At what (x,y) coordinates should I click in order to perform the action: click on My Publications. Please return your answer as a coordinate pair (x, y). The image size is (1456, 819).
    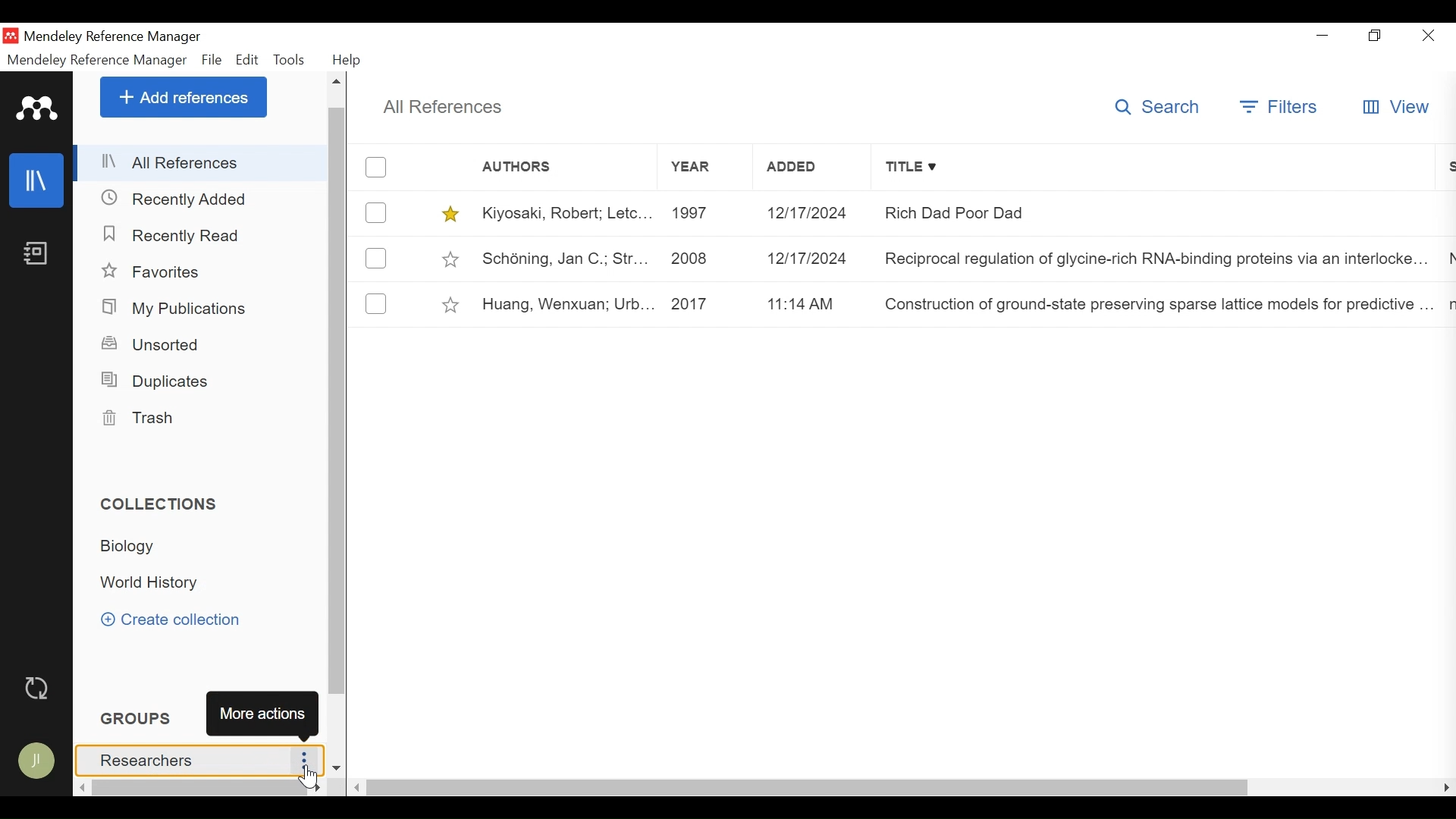
    Looking at the image, I should click on (174, 309).